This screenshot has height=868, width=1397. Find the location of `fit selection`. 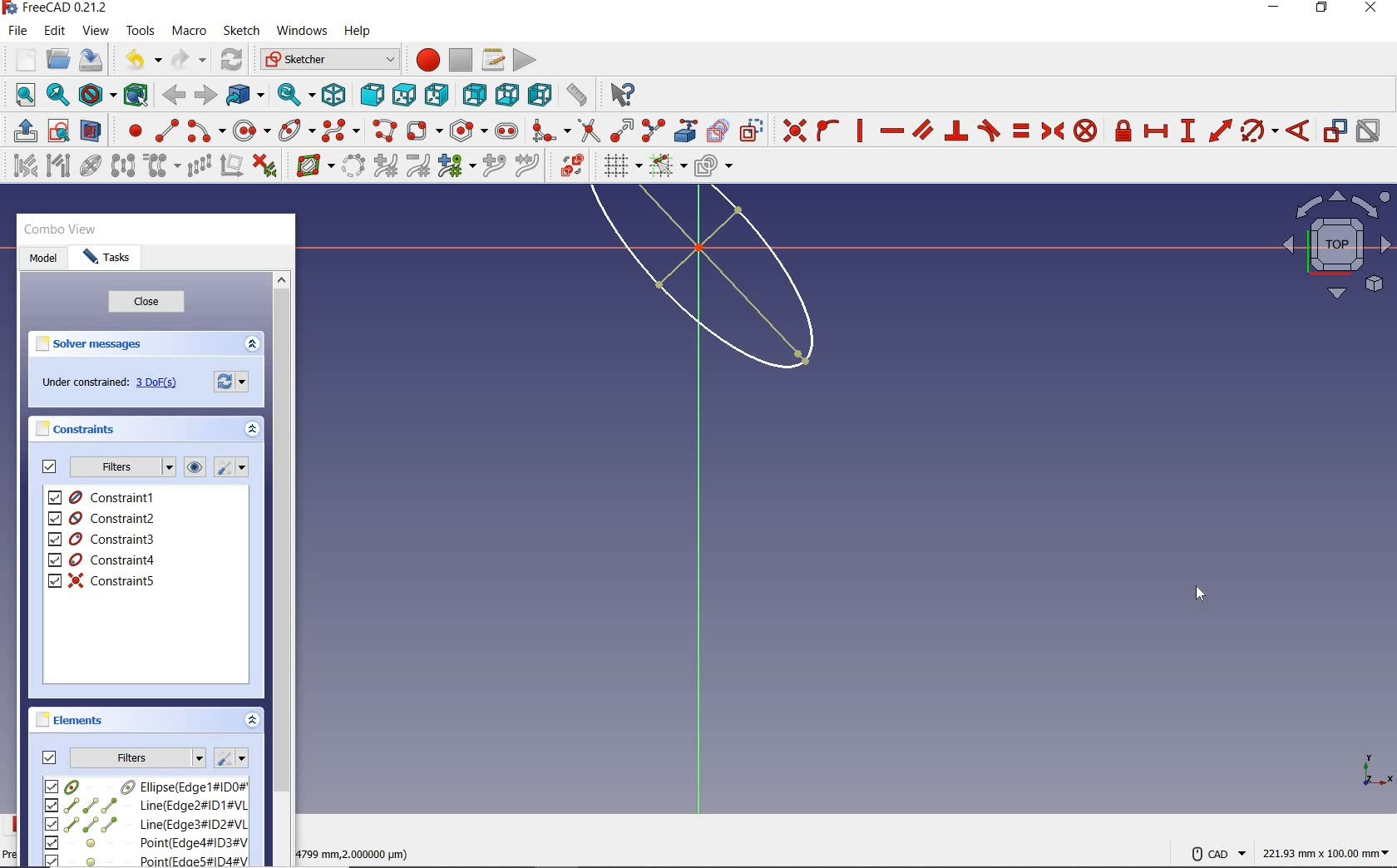

fit selection is located at coordinates (57, 96).